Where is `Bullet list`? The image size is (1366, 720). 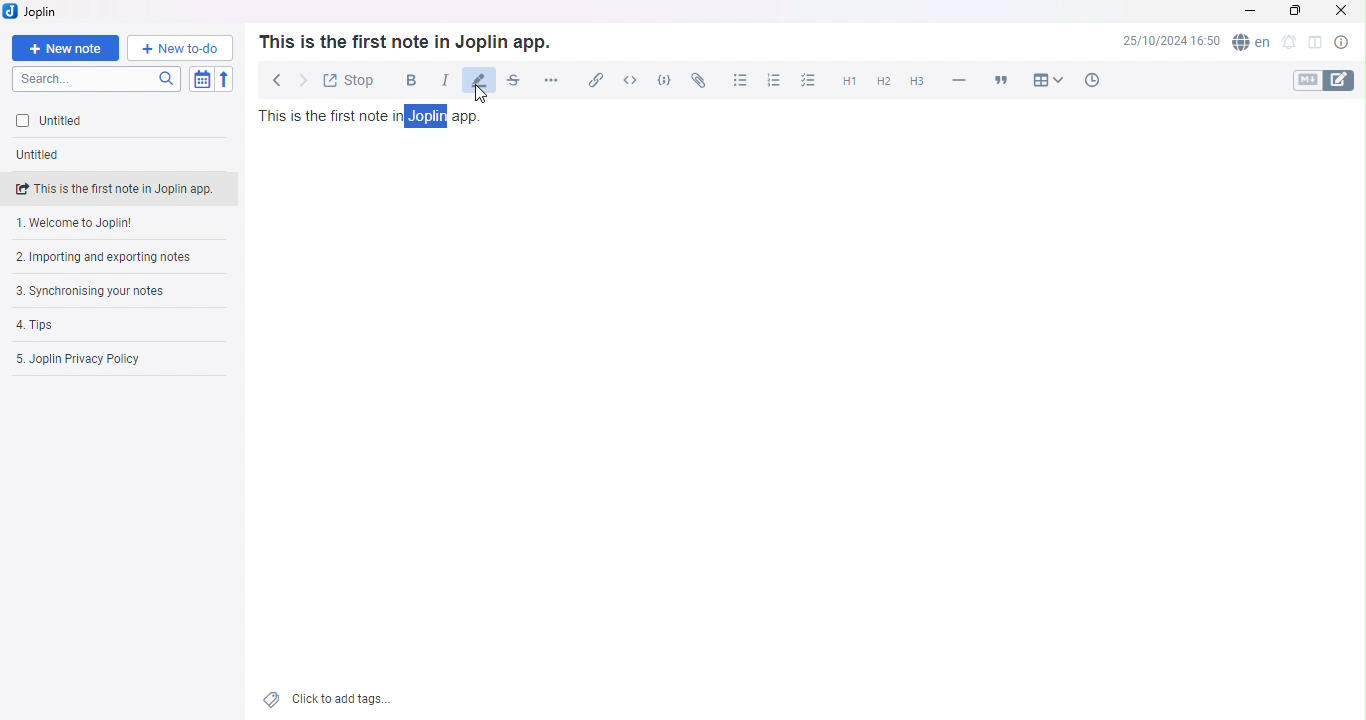 Bullet list is located at coordinates (739, 79).